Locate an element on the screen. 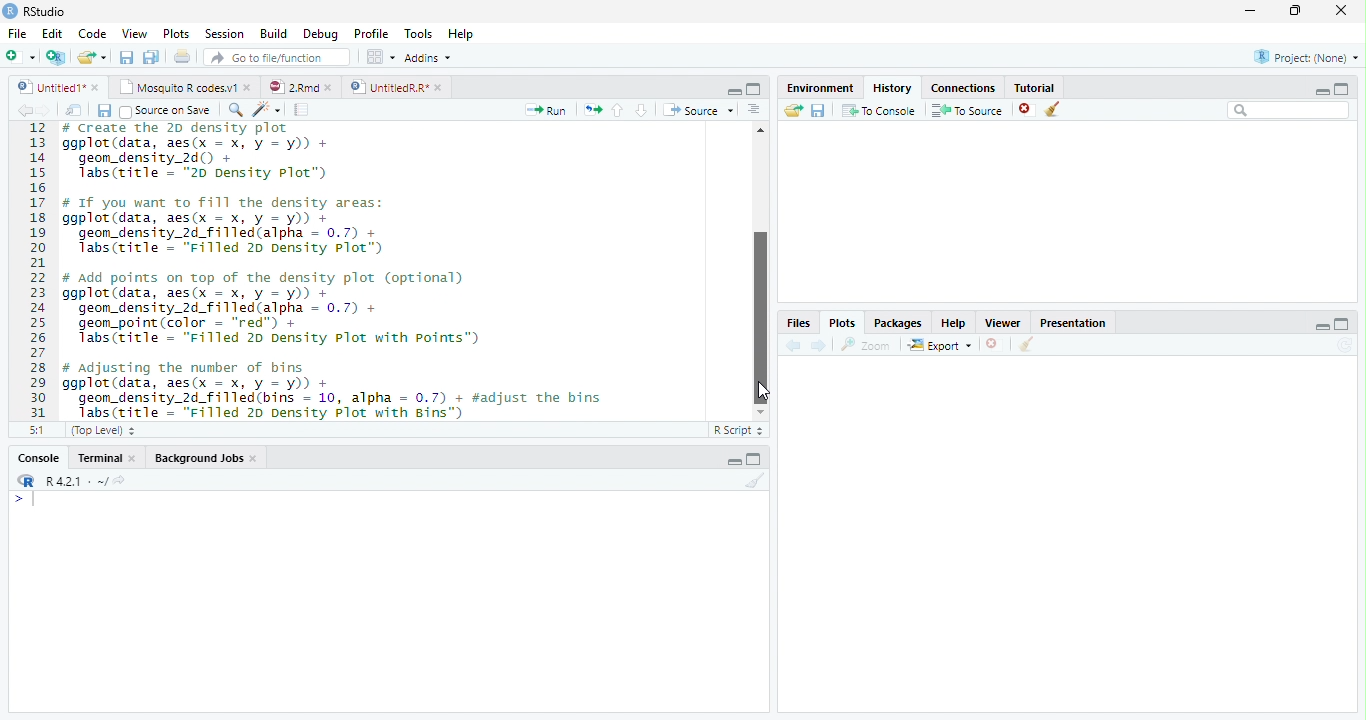 The width and height of the screenshot is (1366, 720). R Script is located at coordinates (739, 431).